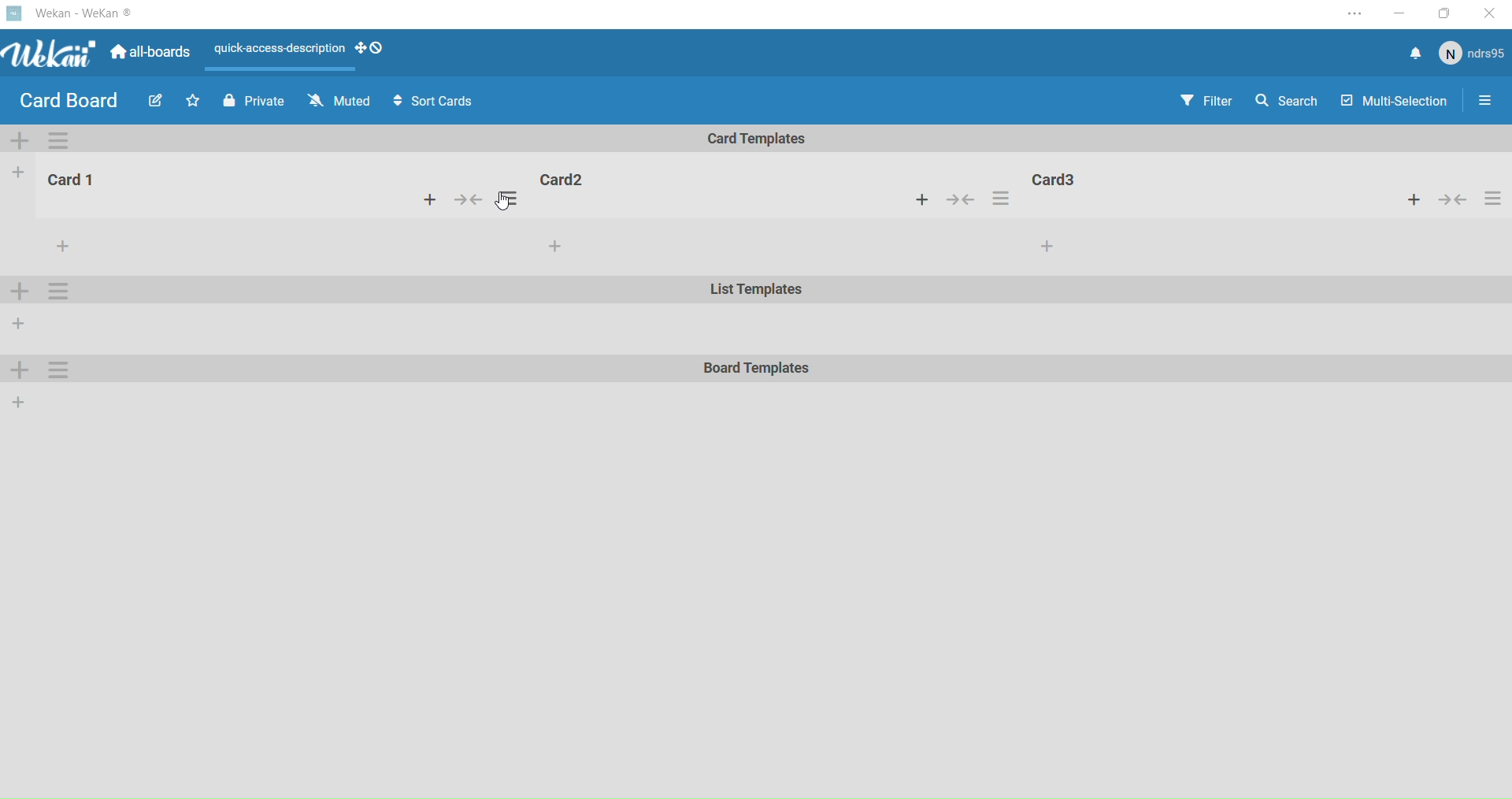 The width and height of the screenshot is (1512, 799). I want to click on settings, so click(55, 289).